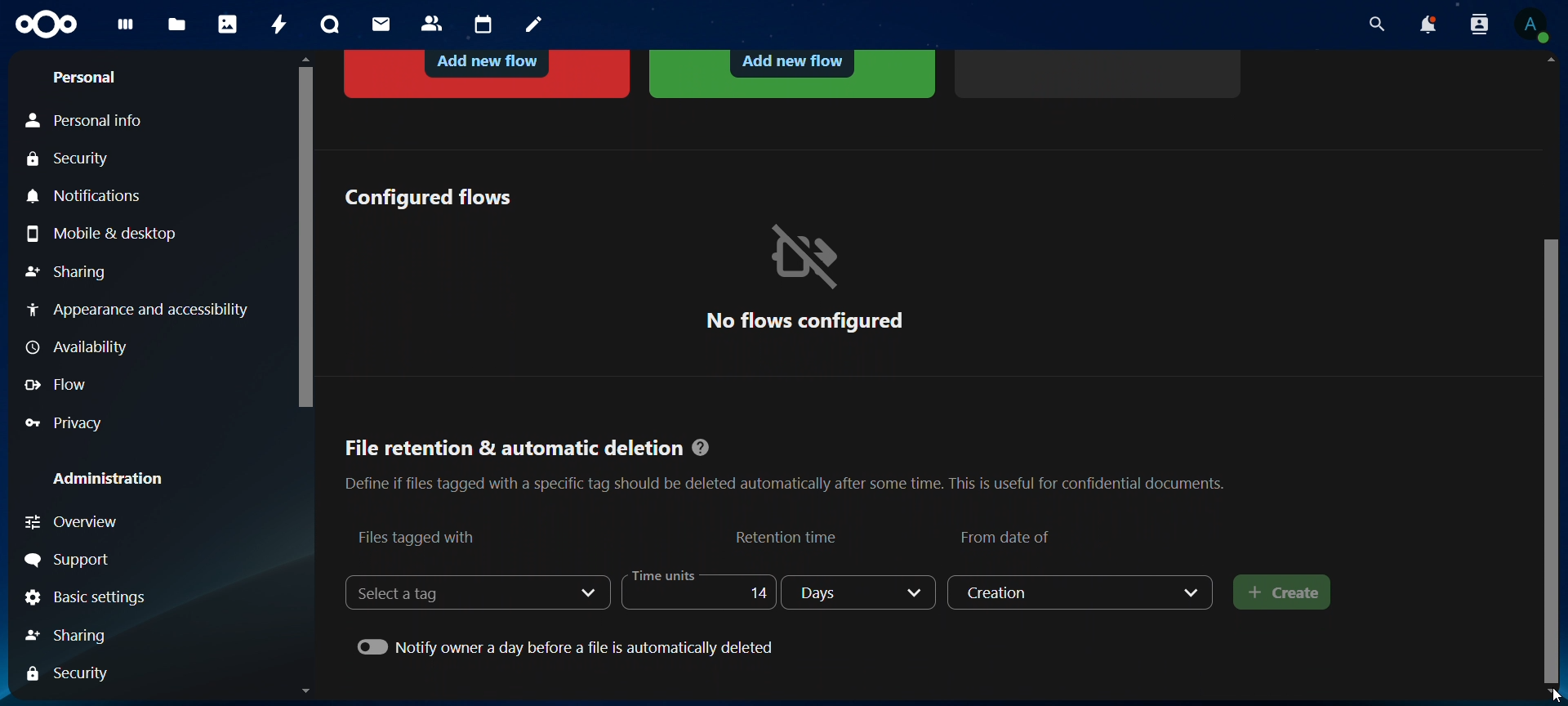 The width and height of the screenshot is (1568, 706). Describe the element at coordinates (81, 349) in the screenshot. I see `availabilty` at that location.